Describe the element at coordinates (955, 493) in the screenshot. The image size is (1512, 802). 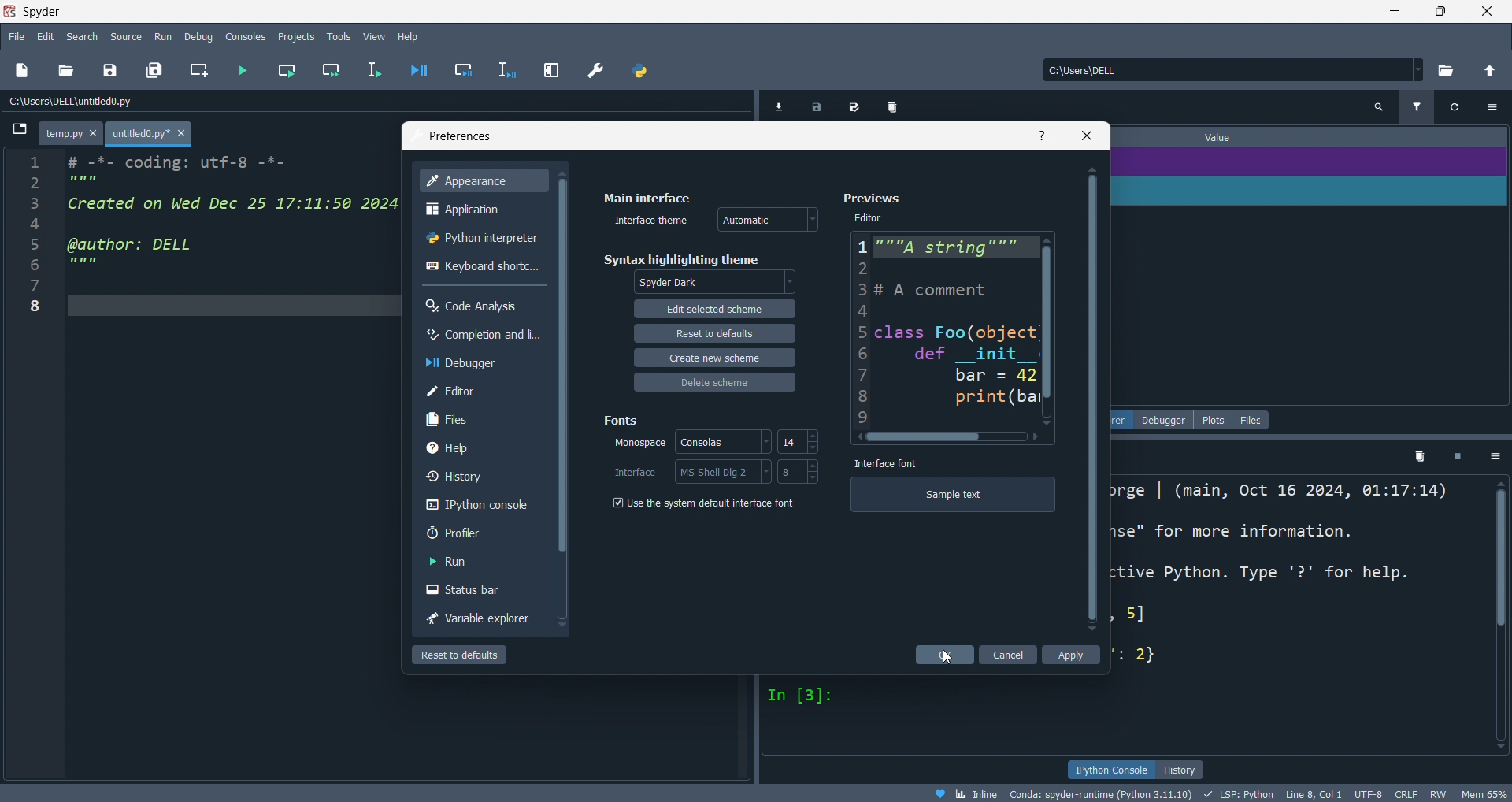
I see `Sample text` at that location.